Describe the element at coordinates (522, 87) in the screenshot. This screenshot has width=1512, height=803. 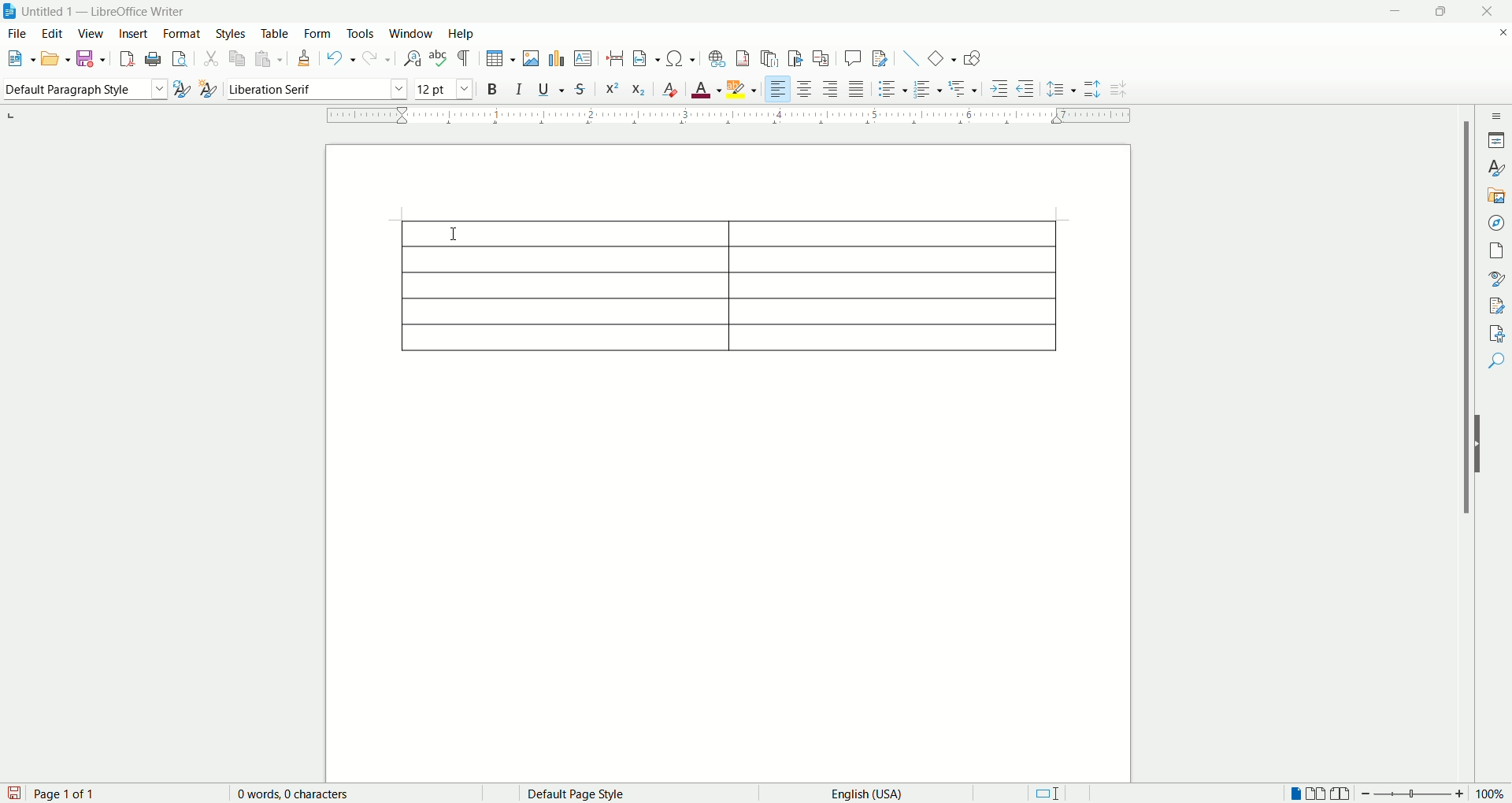
I see `italic` at that location.